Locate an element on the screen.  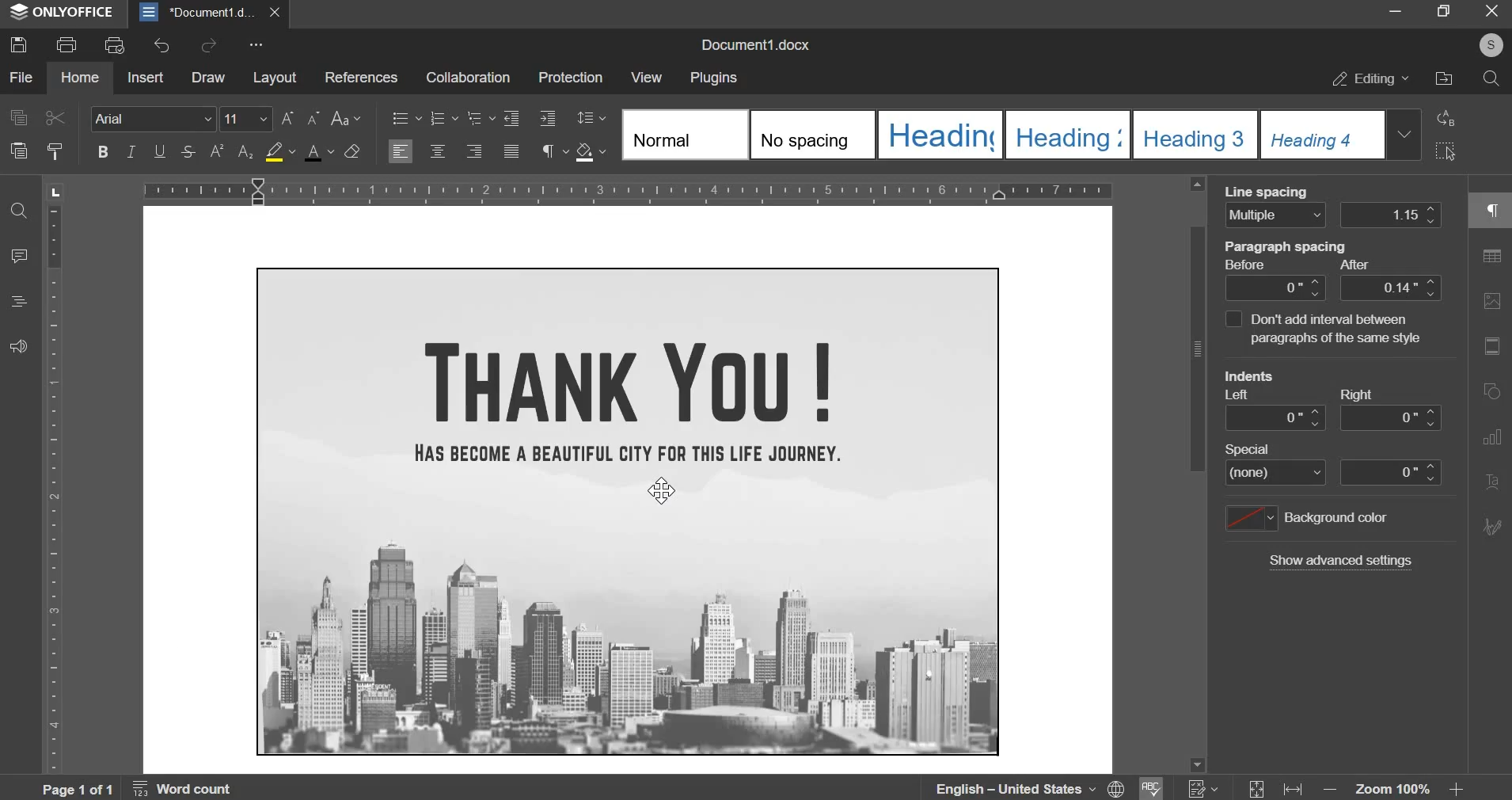
S is located at coordinates (1489, 46).